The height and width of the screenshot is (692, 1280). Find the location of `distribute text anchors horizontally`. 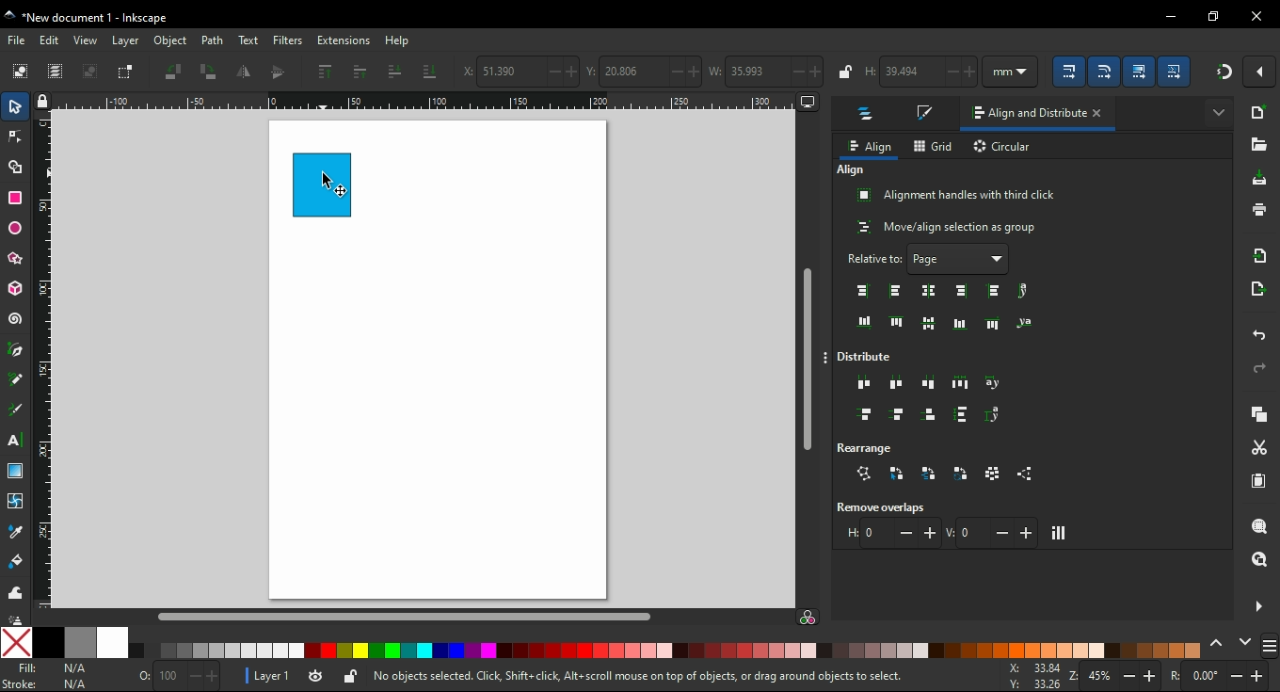

distribute text anchors horizontally is located at coordinates (994, 384).